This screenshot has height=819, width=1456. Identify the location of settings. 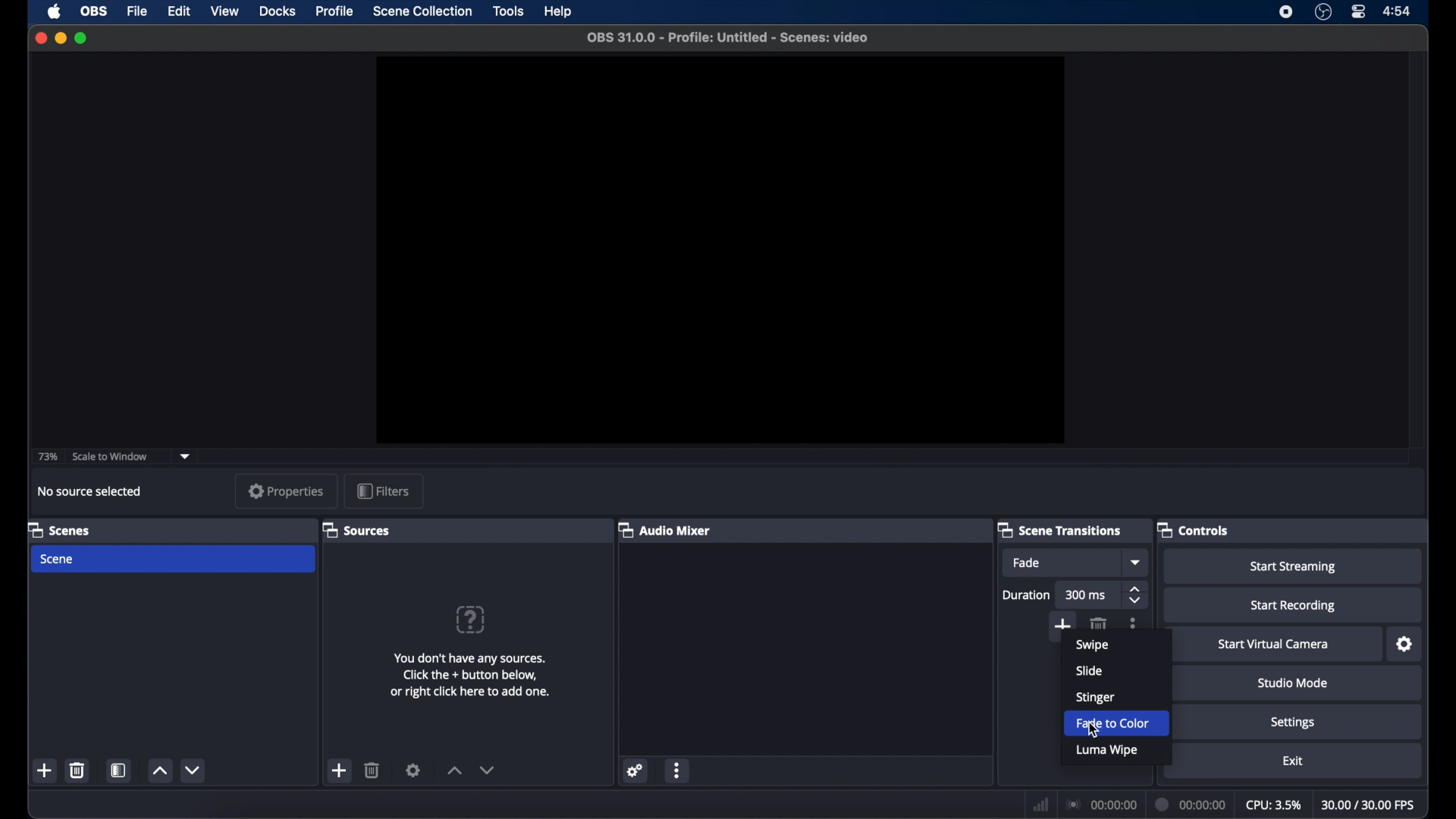
(1405, 645).